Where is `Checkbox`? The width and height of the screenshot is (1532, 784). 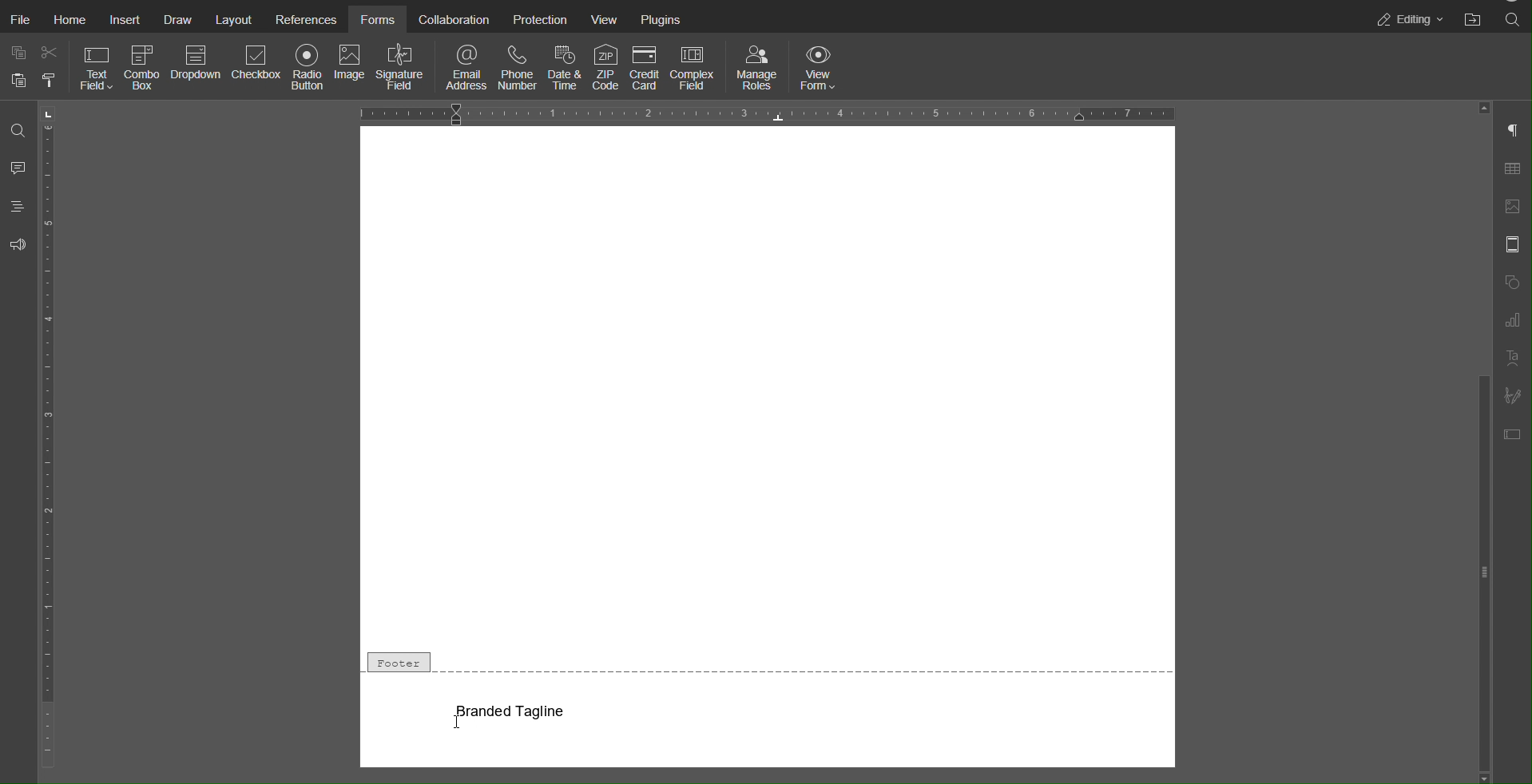 Checkbox is located at coordinates (256, 69).